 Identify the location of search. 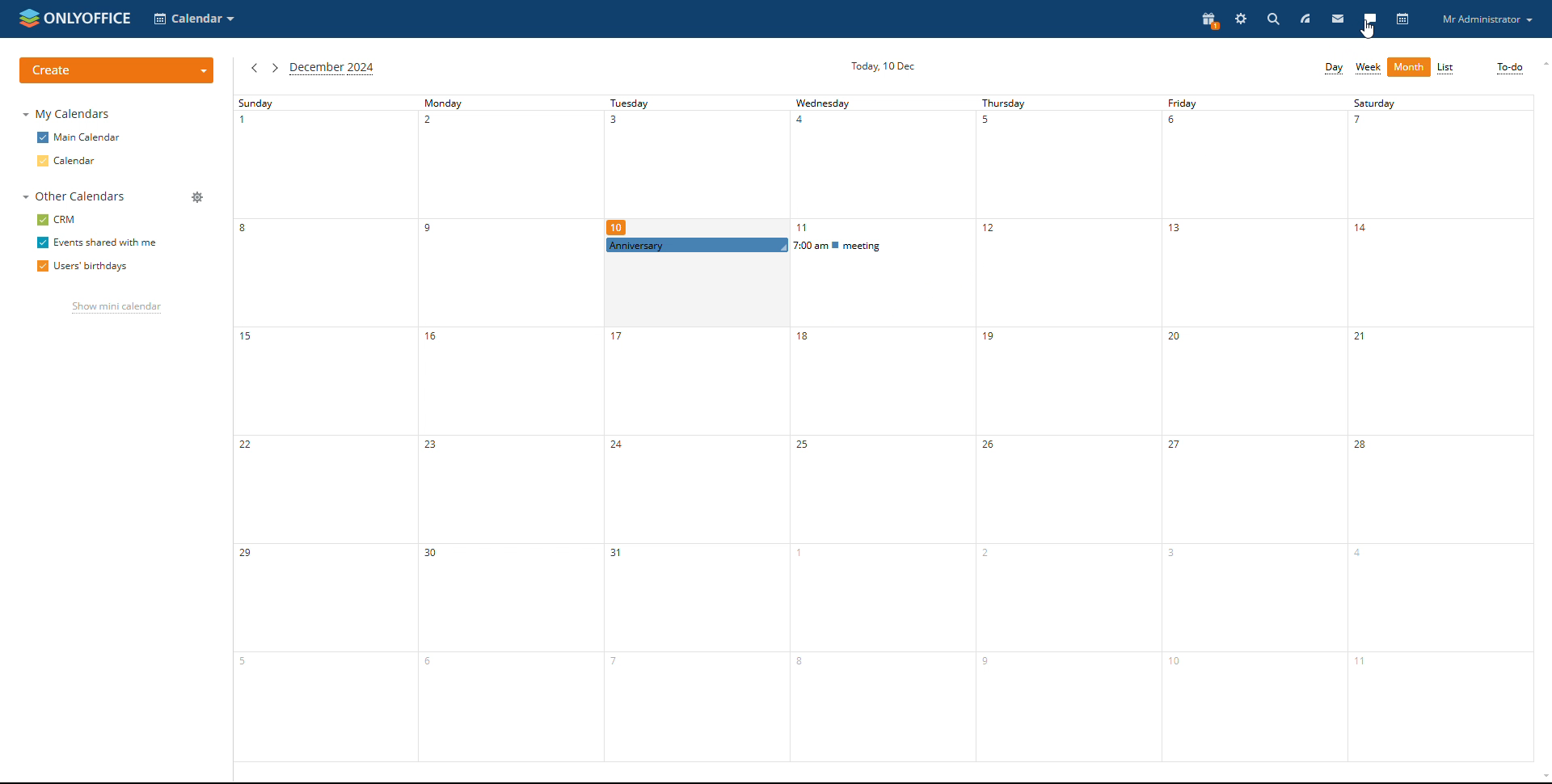
(1272, 19).